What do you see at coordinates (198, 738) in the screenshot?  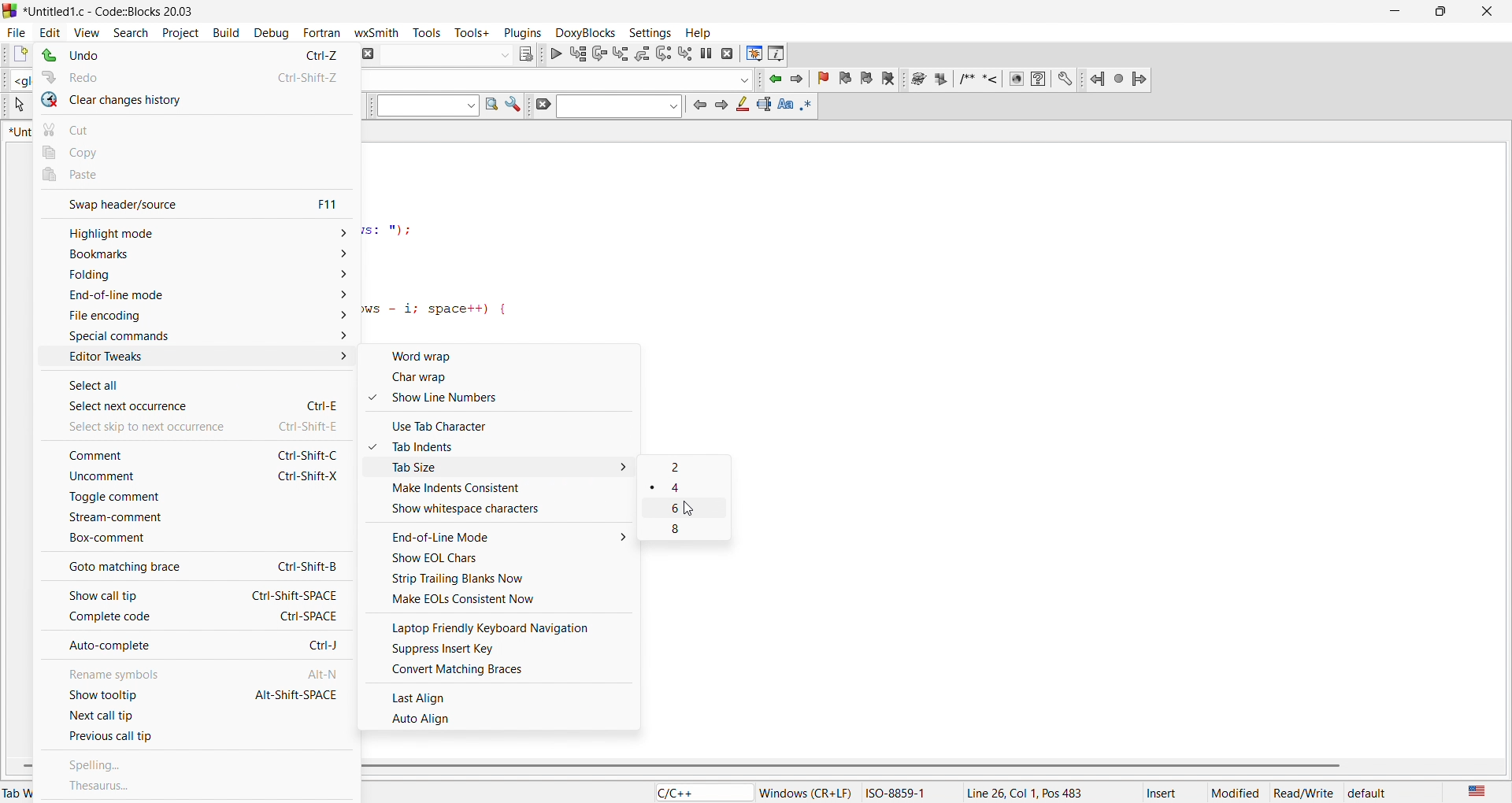 I see `previous call tip` at bounding box center [198, 738].